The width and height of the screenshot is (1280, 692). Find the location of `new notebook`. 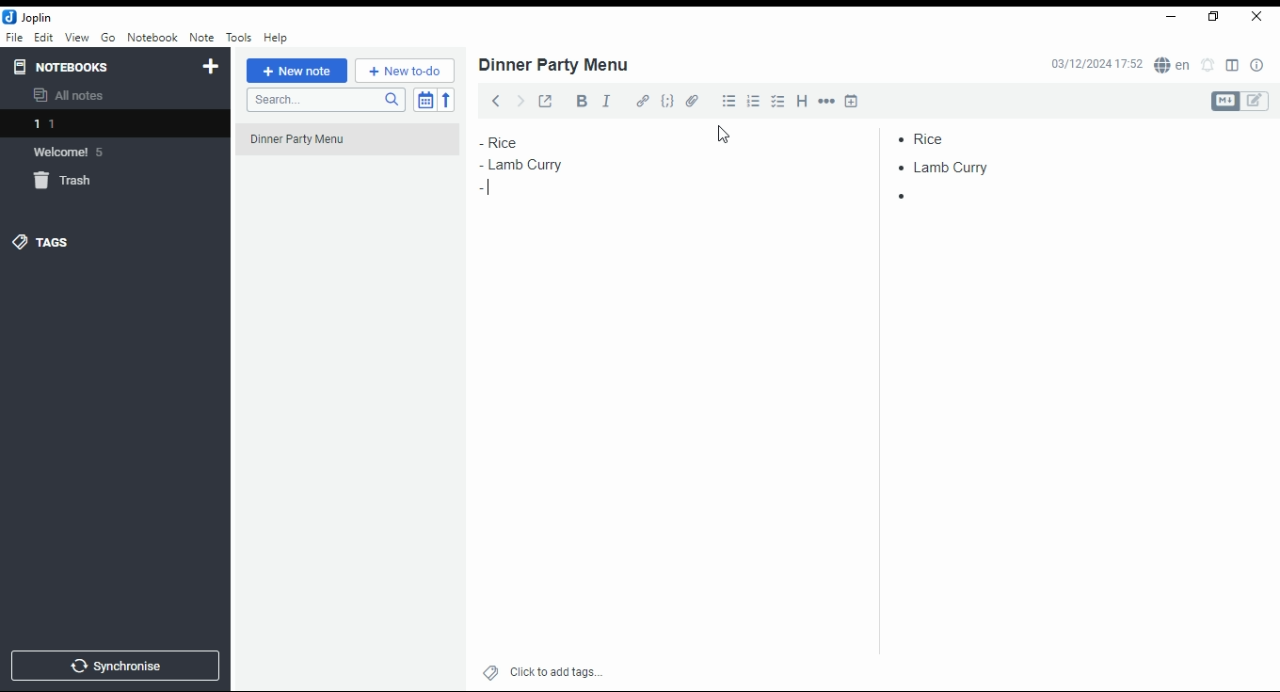

new notebook is located at coordinates (211, 67).